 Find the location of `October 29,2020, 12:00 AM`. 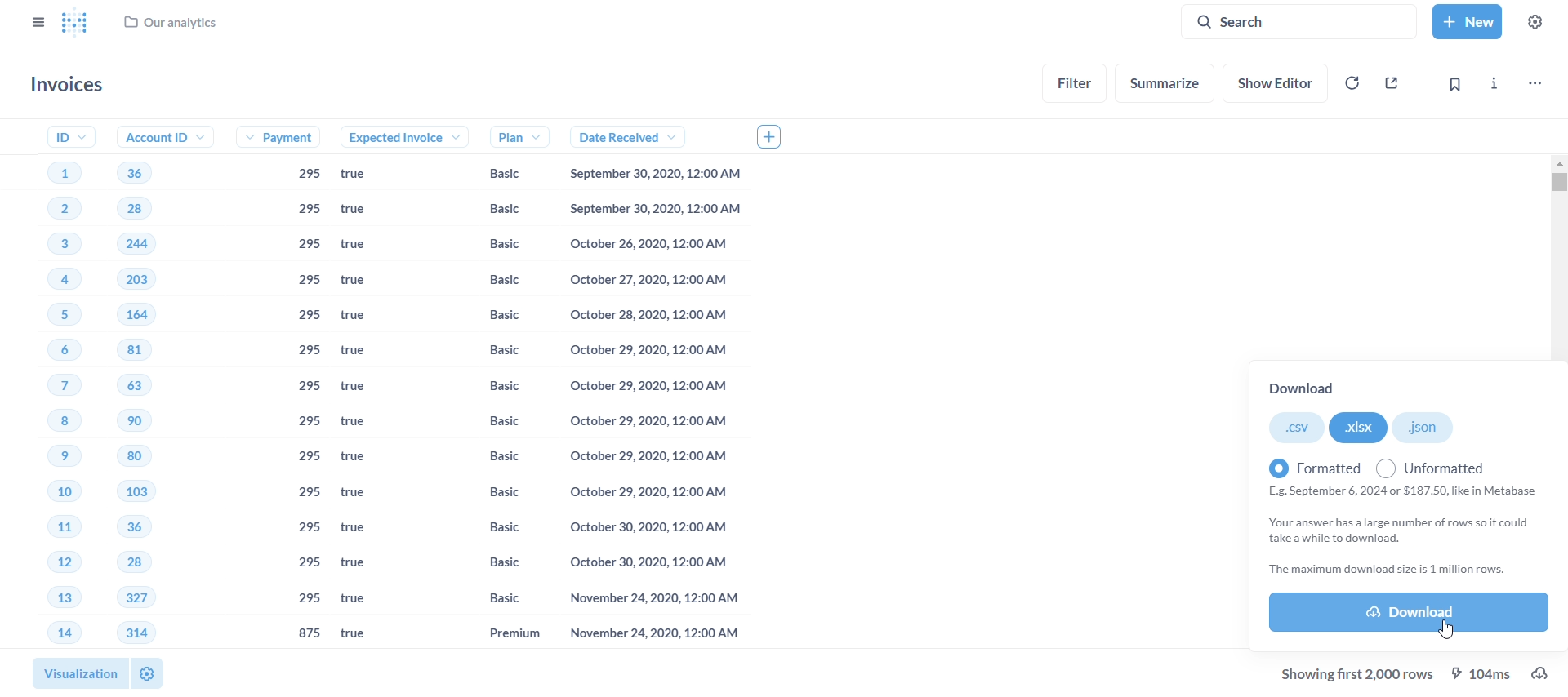

October 29,2020, 12:00 AM is located at coordinates (645, 424).